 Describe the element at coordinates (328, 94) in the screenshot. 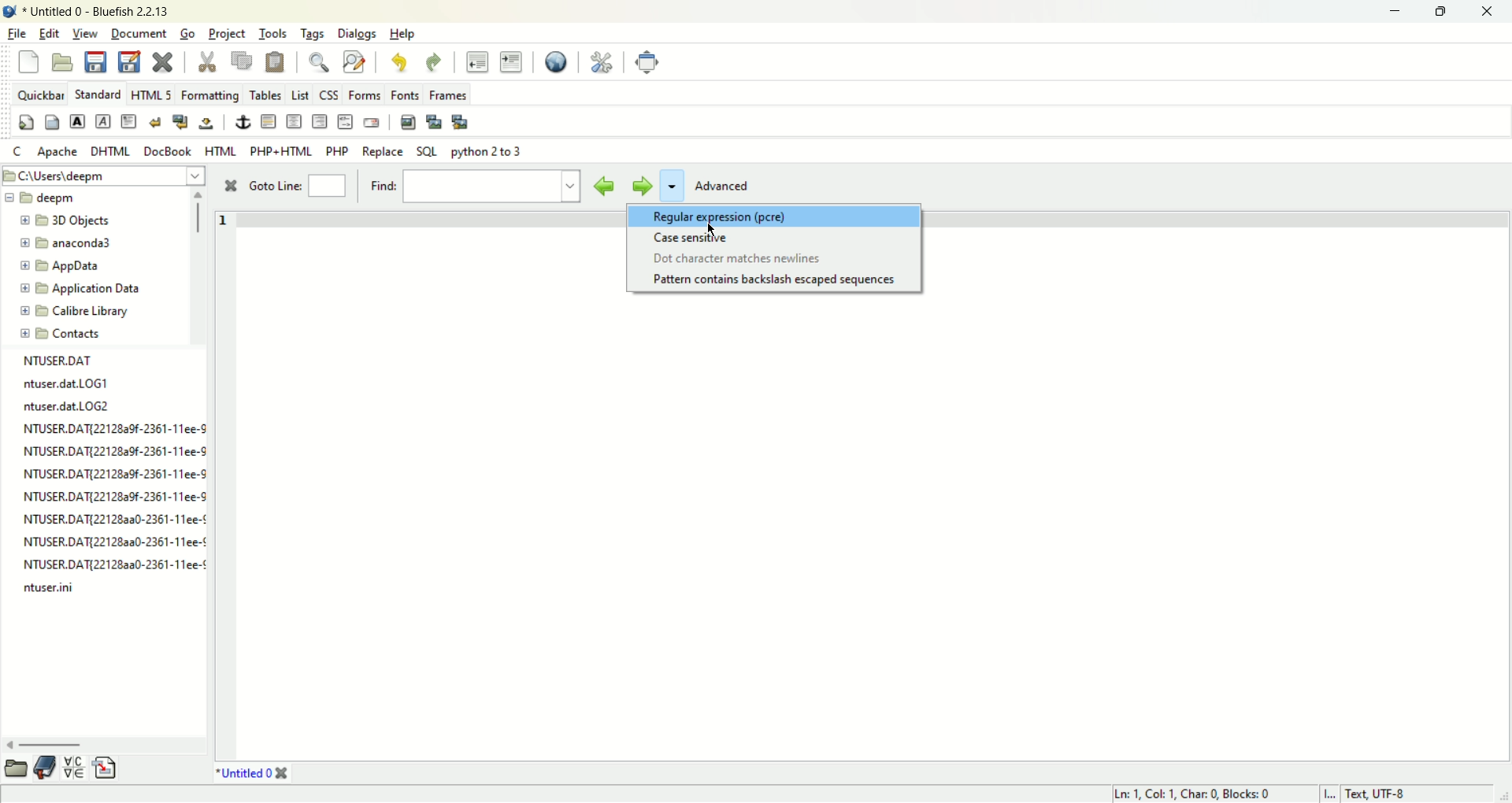

I see `CSS` at that location.